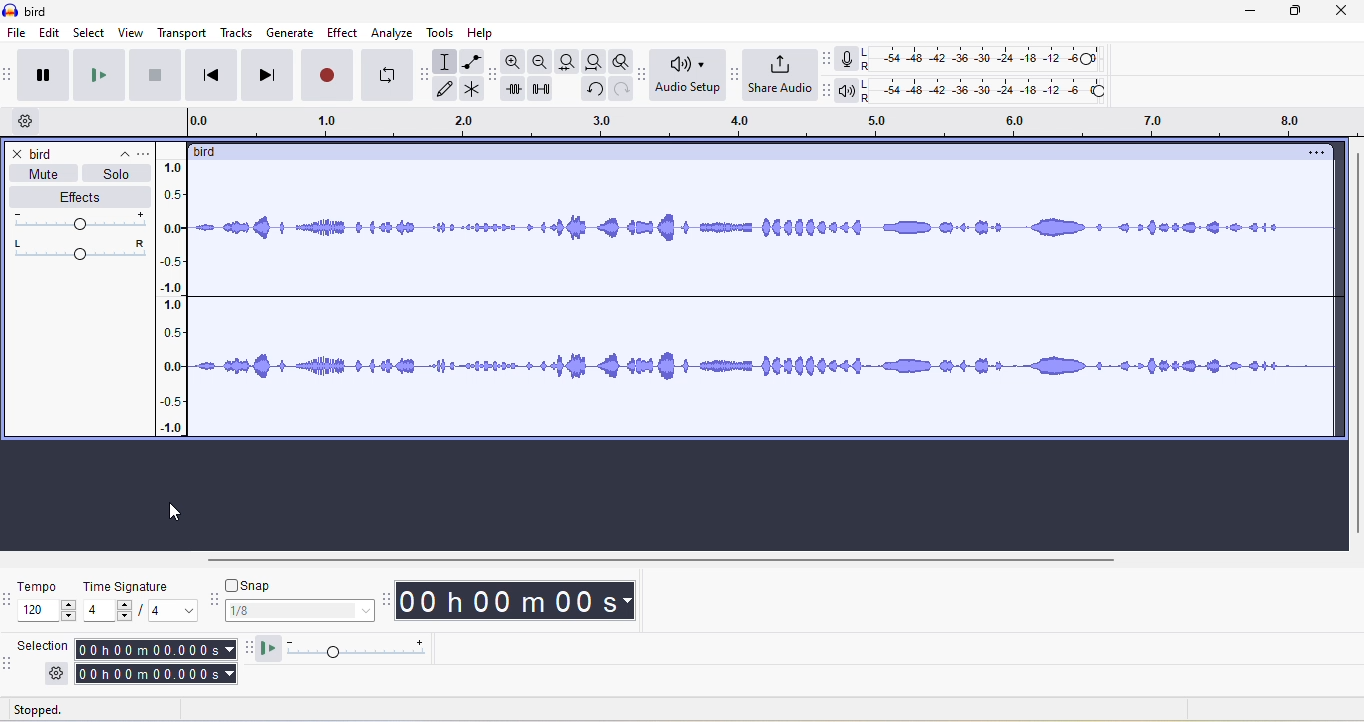 This screenshot has width=1364, height=722. I want to click on record, so click(325, 75).